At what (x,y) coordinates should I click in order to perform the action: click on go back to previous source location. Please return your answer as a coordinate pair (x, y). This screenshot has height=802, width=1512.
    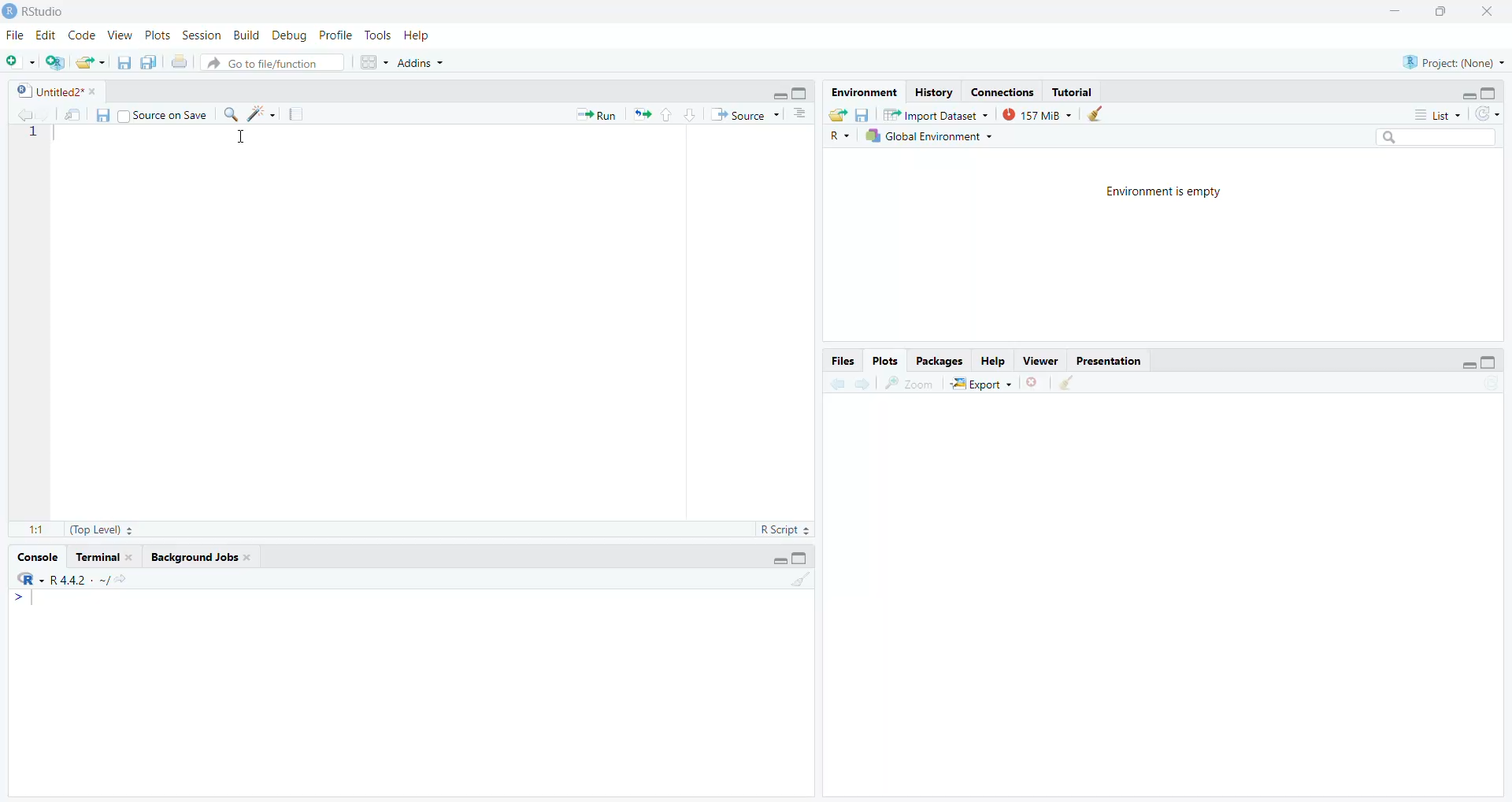
    Looking at the image, I should click on (28, 113).